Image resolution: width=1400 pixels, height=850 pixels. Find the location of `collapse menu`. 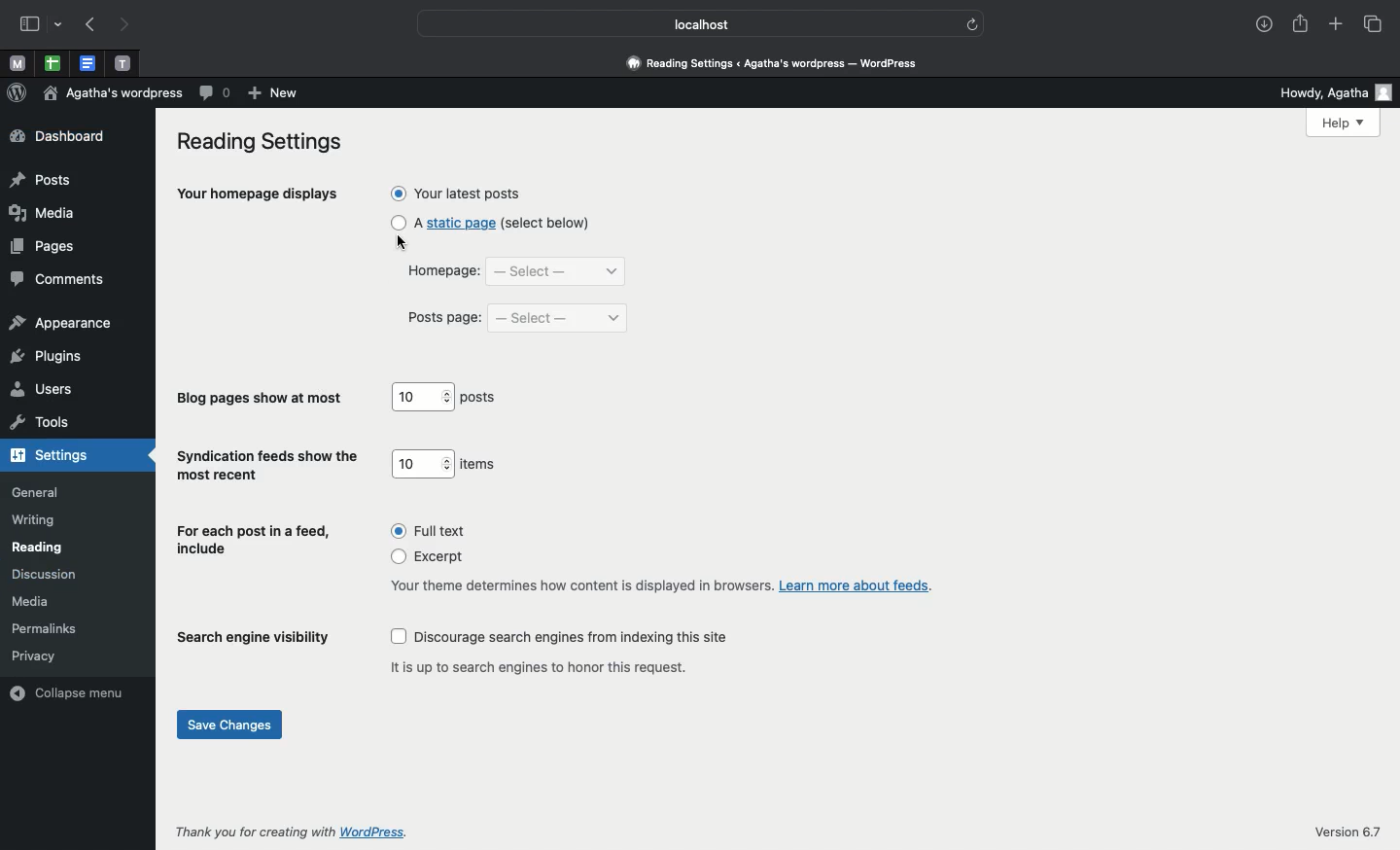

collapse menu is located at coordinates (72, 691).